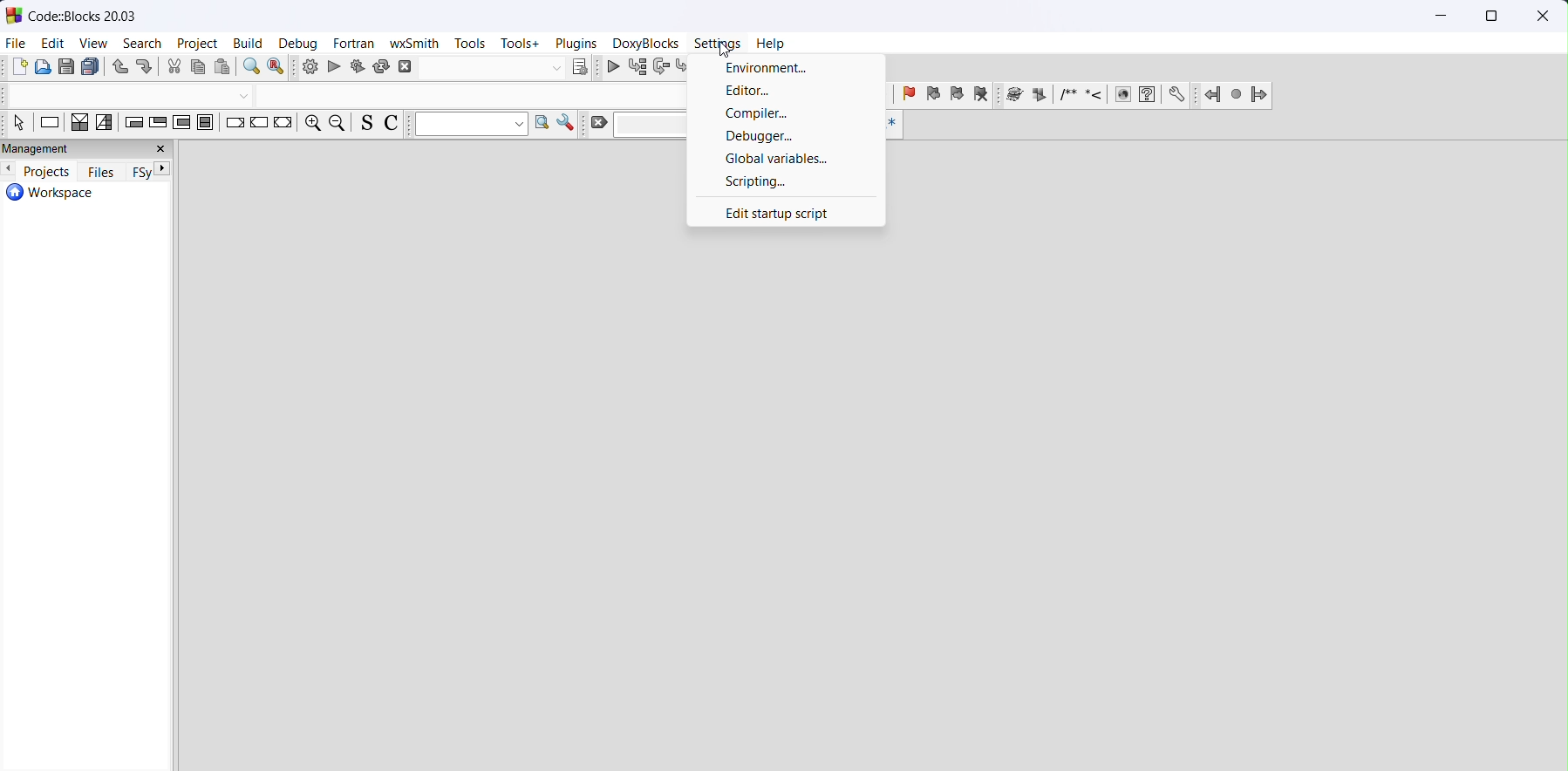 The width and height of the screenshot is (1568, 771). I want to click on code completion, so click(338, 96).